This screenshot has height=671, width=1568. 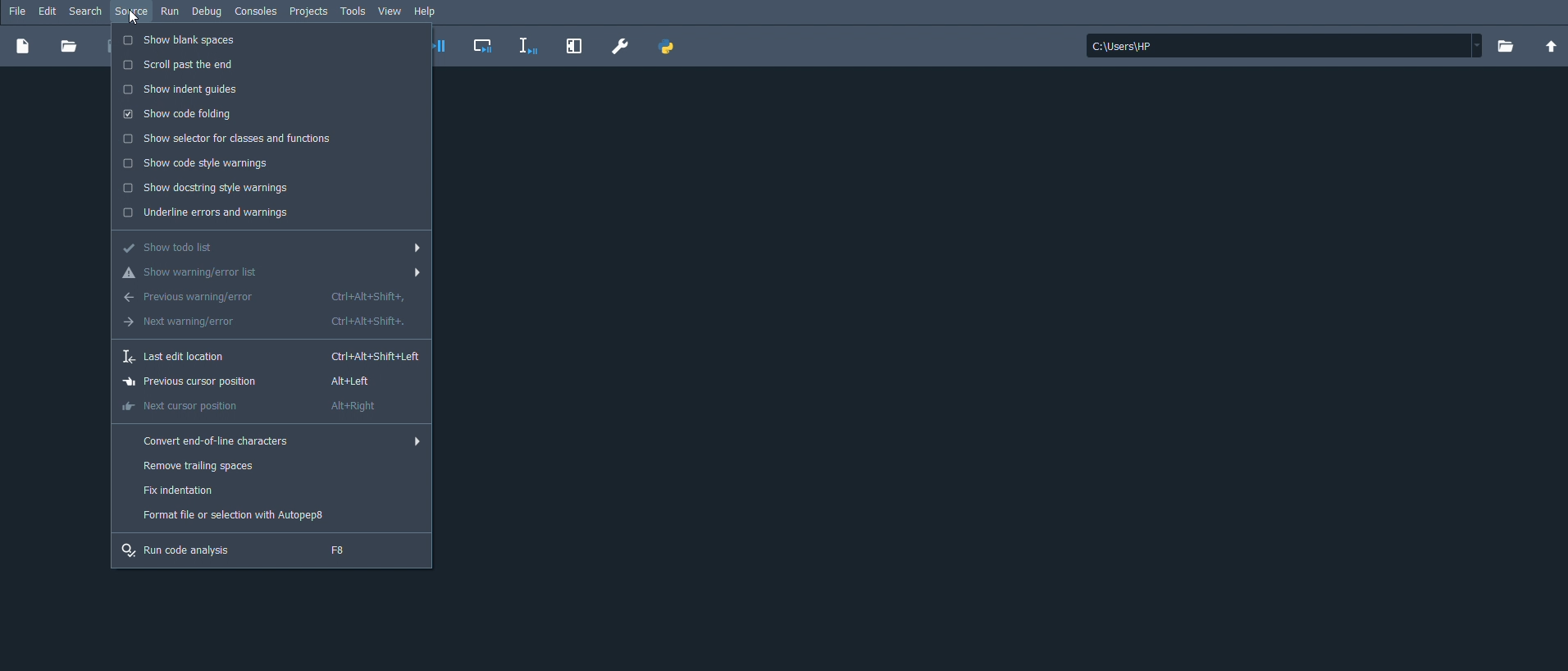 What do you see at coordinates (212, 189) in the screenshot?
I see `Show docstring style warnings` at bounding box center [212, 189].